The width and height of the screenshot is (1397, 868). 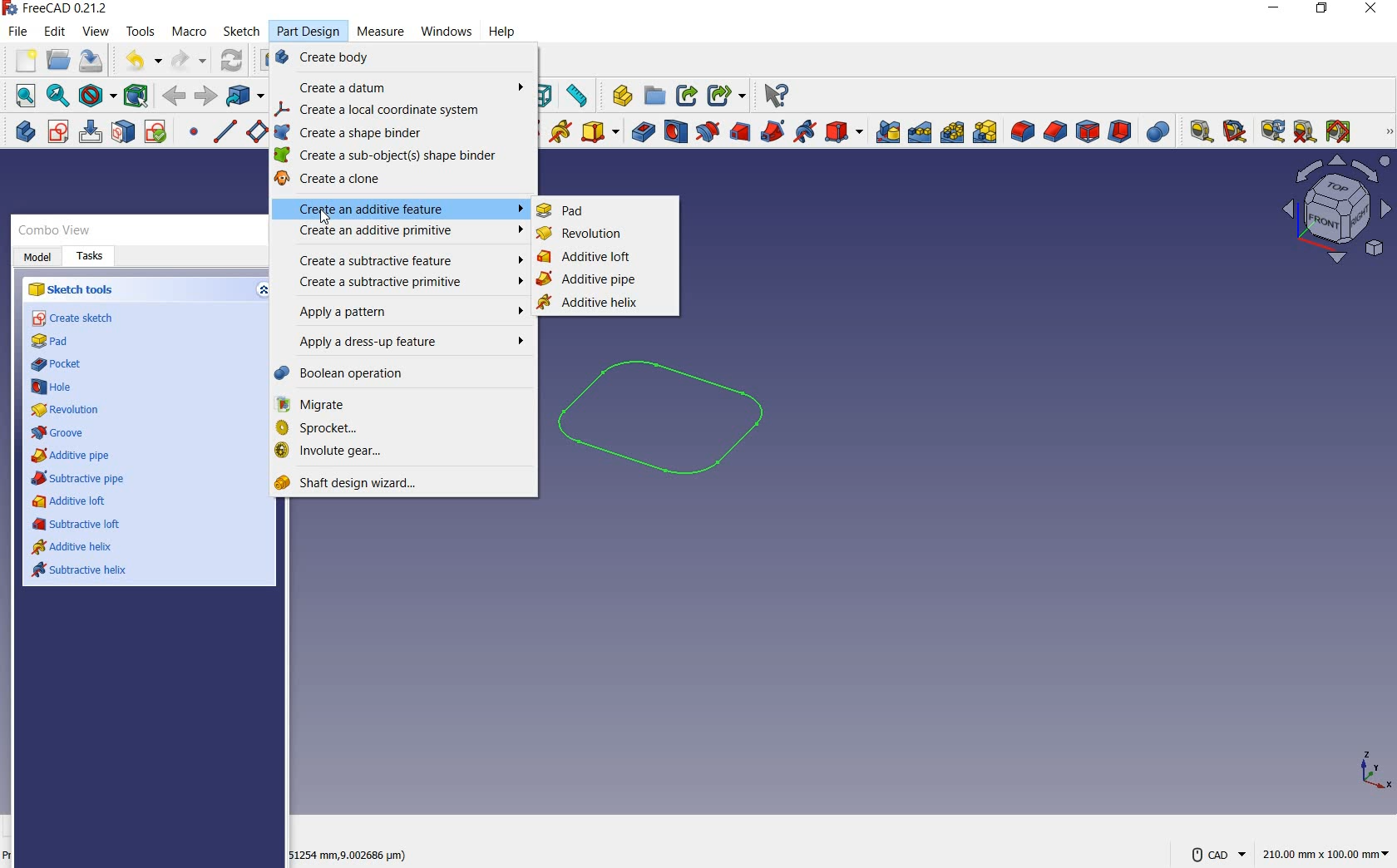 I want to click on subtractive pipe, so click(x=773, y=131).